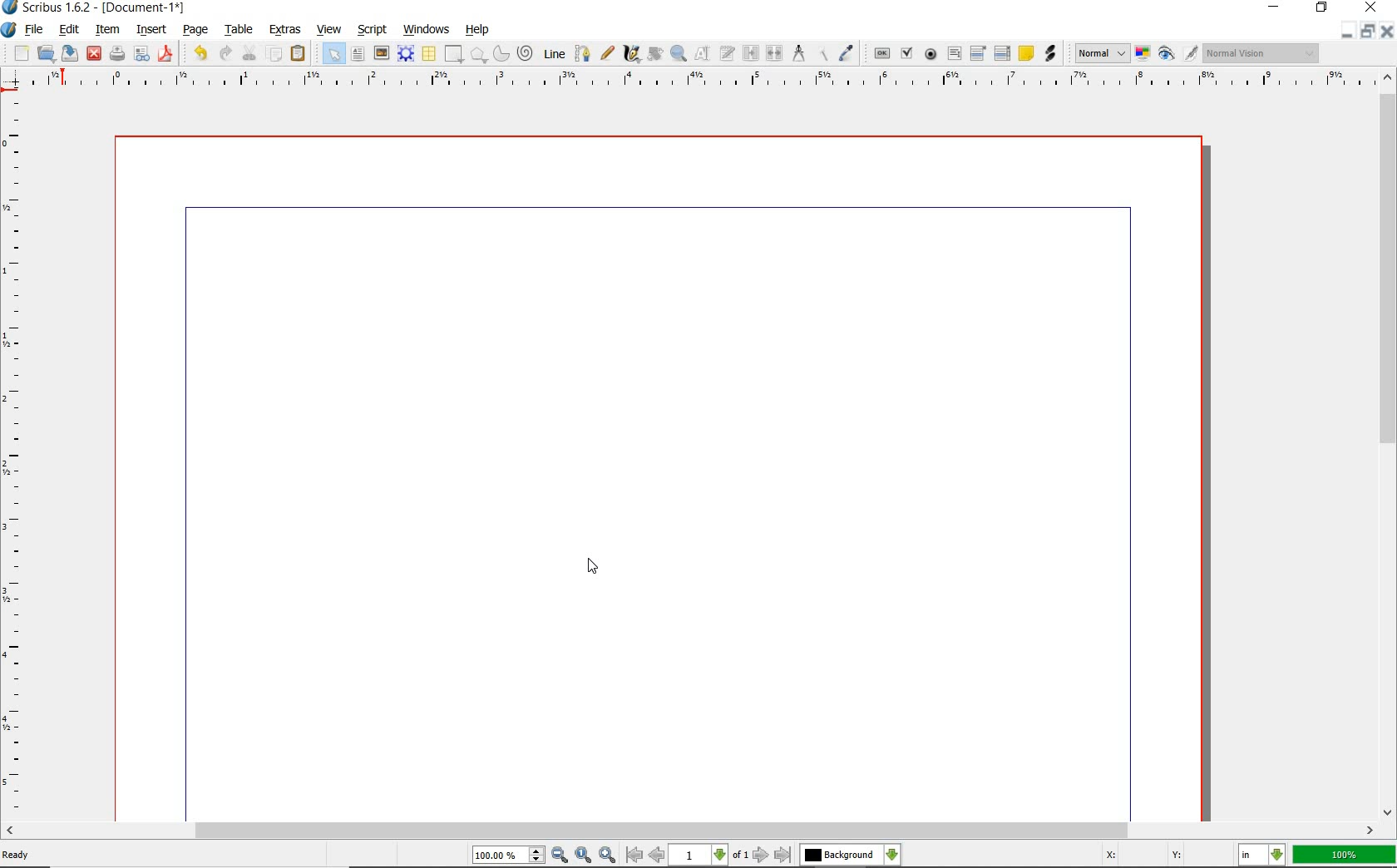  Describe the element at coordinates (479, 55) in the screenshot. I see `polygon` at that location.